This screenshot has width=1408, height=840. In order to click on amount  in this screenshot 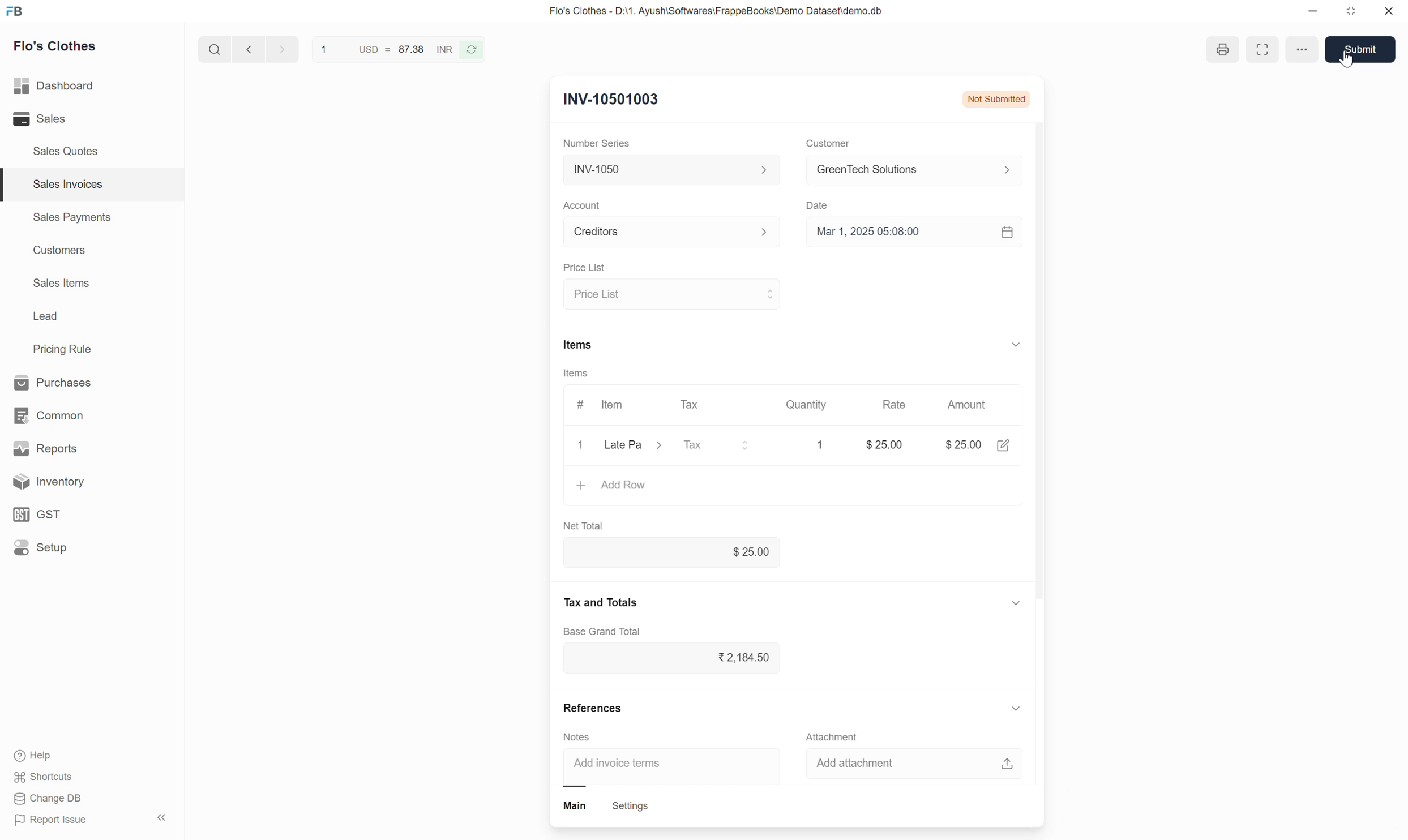, I will do `click(958, 445)`.